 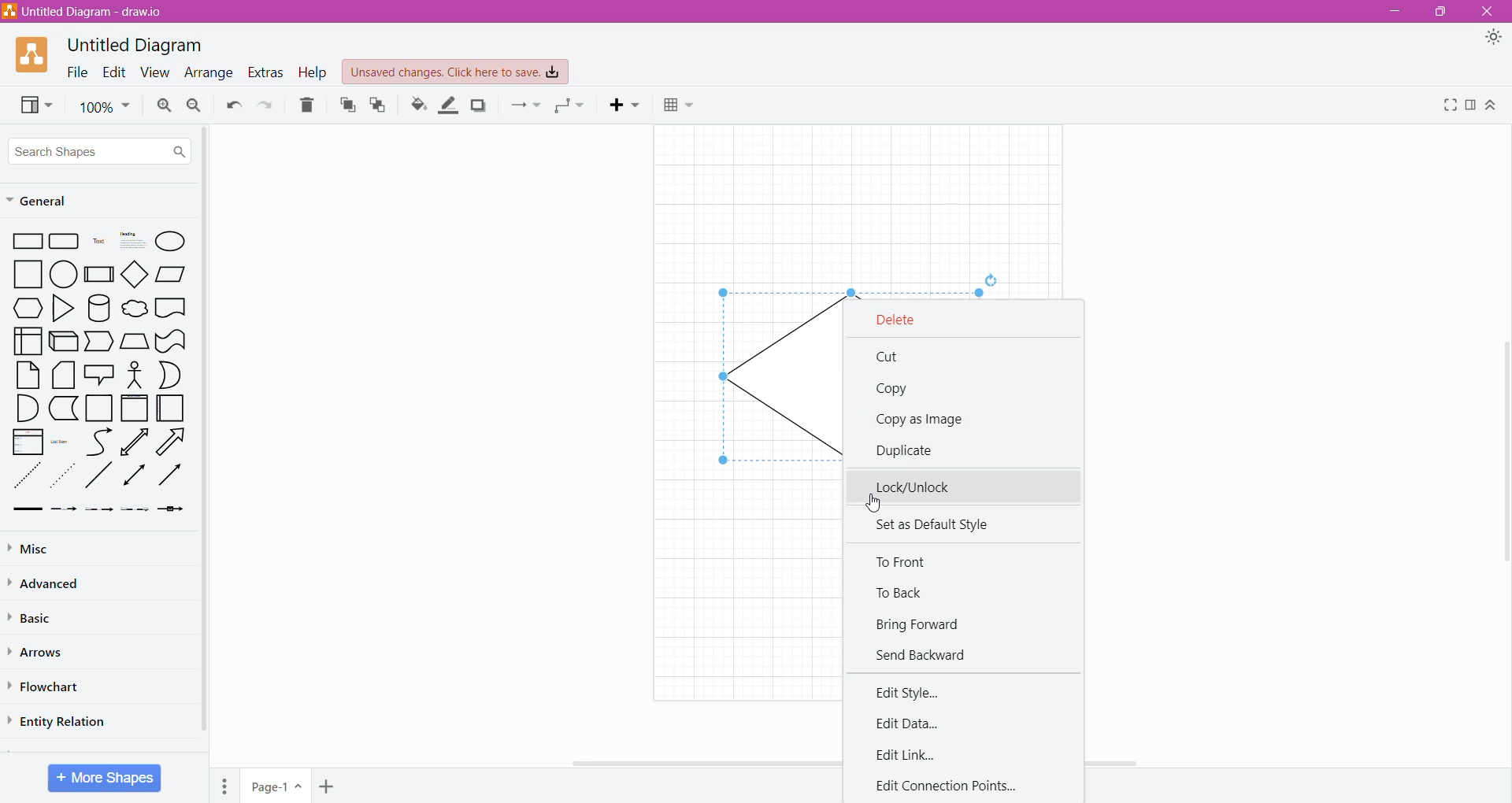 What do you see at coordinates (909, 449) in the screenshot?
I see `Duplicate` at bounding box center [909, 449].